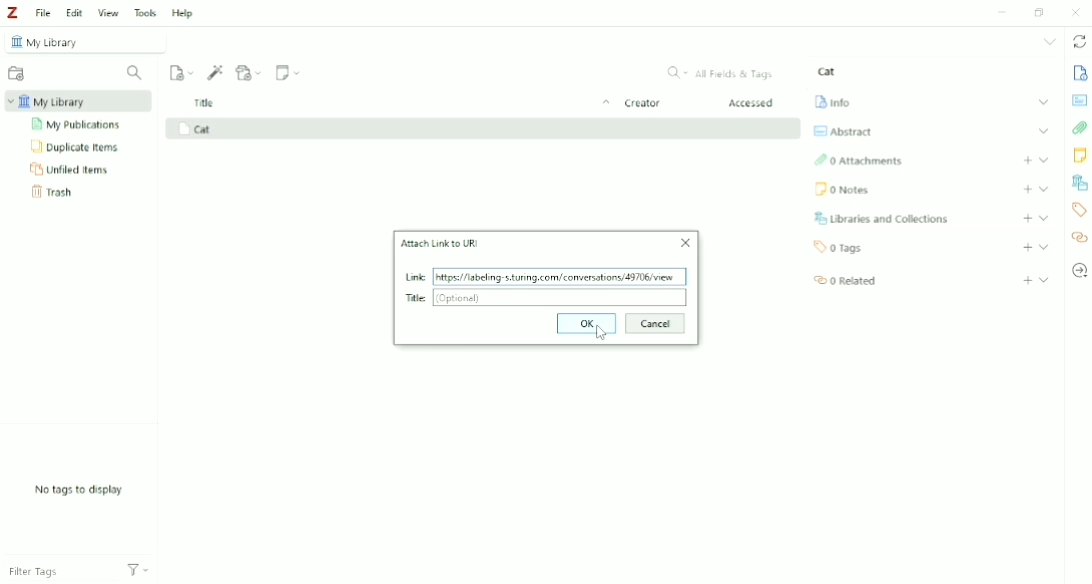 The image size is (1092, 584). What do you see at coordinates (562, 298) in the screenshot?
I see `(Optional)` at bounding box center [562, 298].